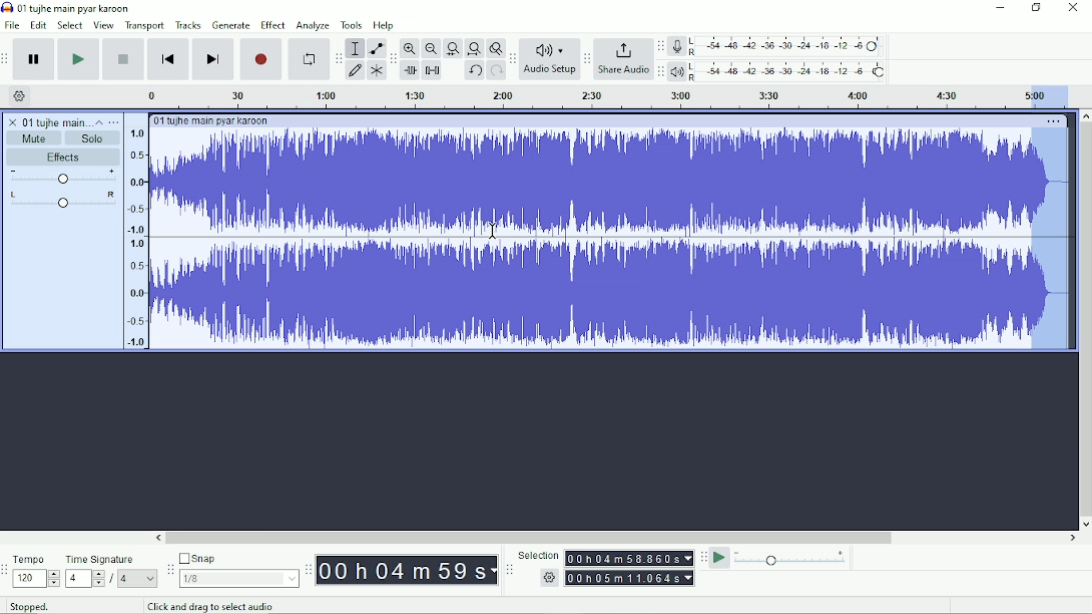 The image size is (1092, 614). I want to click on Vertical scrollbar, so click(1085, 320).